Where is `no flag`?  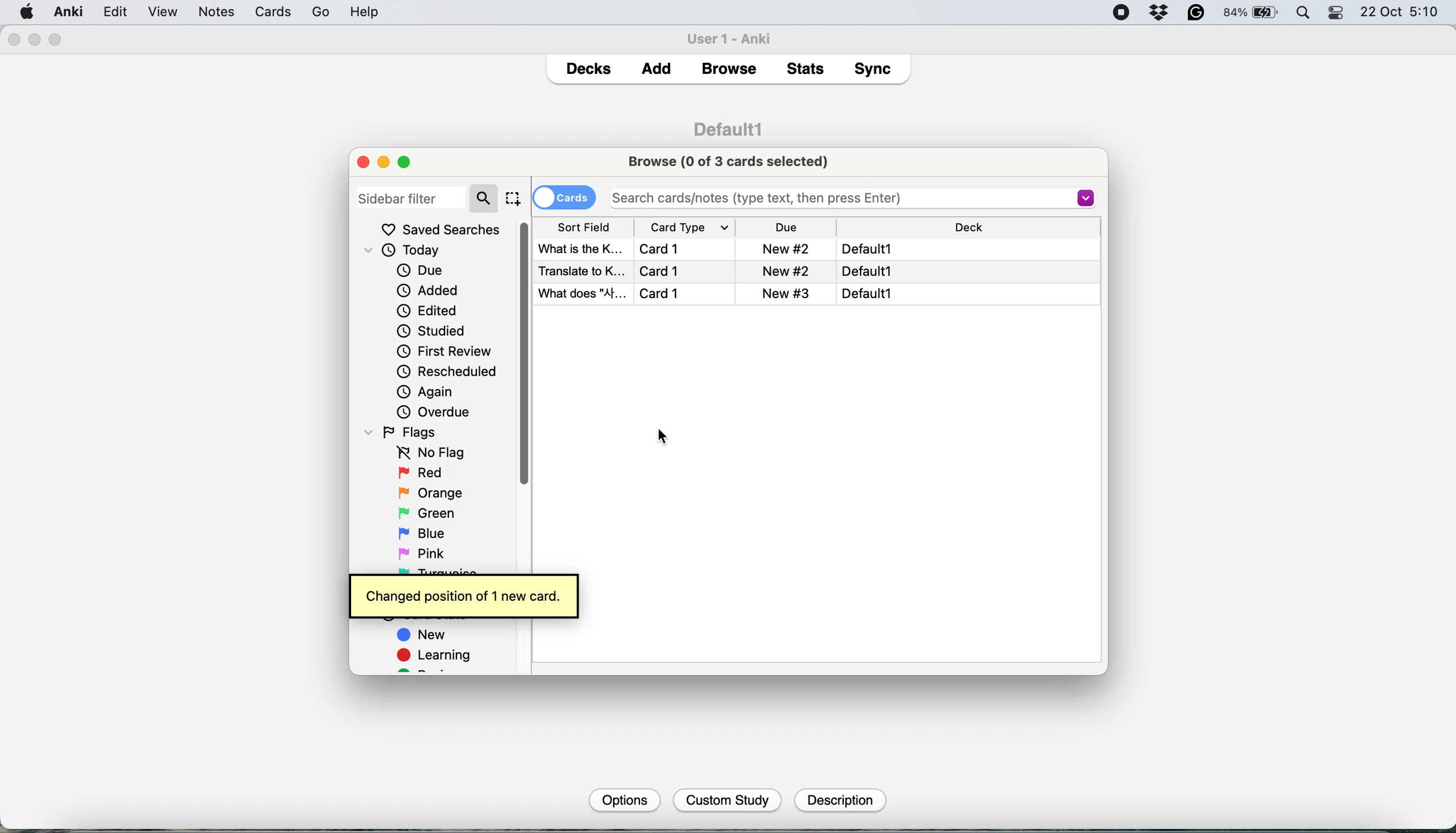 no flag is located at coordinates (428, 453).